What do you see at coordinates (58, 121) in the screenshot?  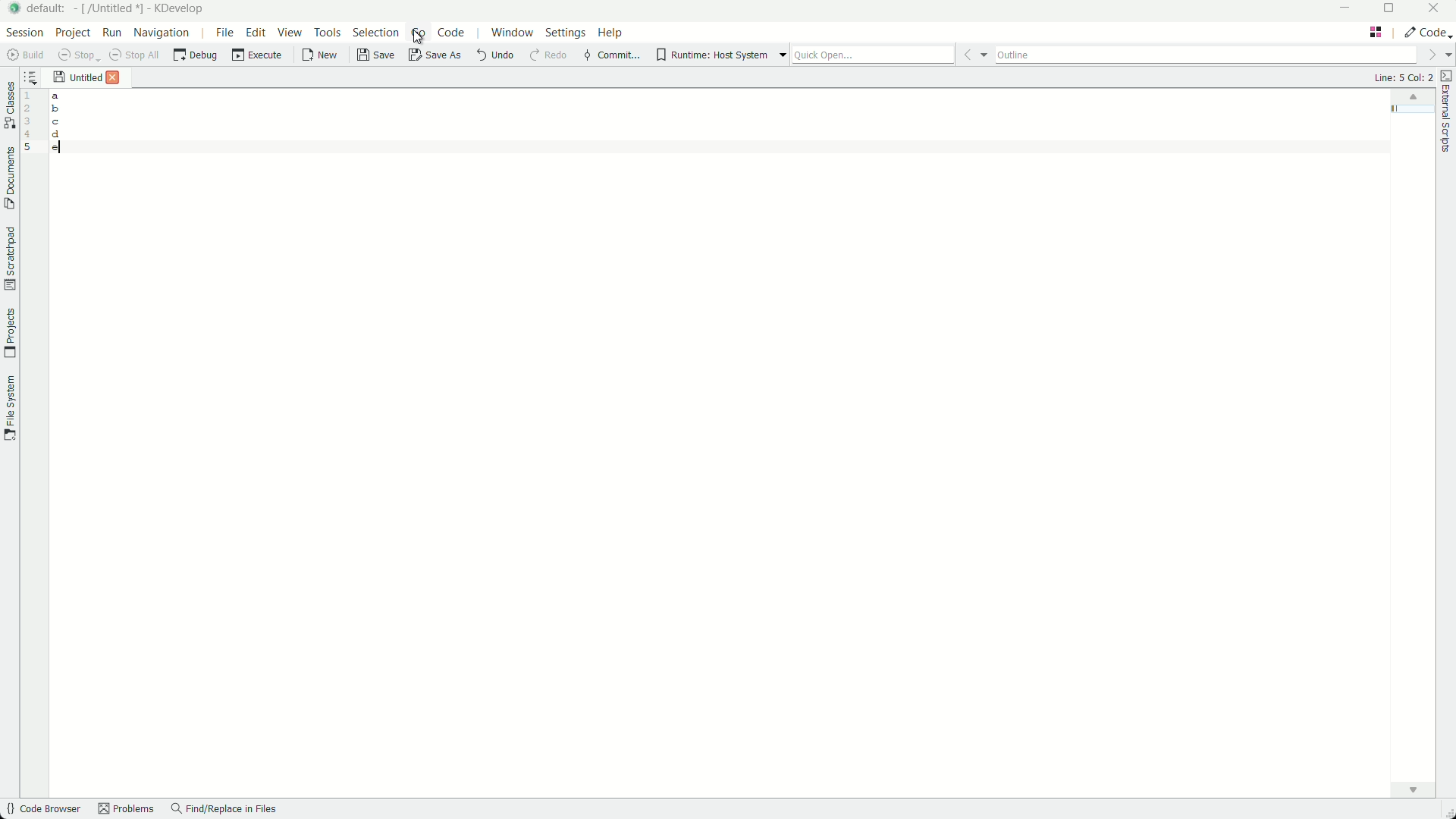 I see `c` at bounding box center [58, 121].